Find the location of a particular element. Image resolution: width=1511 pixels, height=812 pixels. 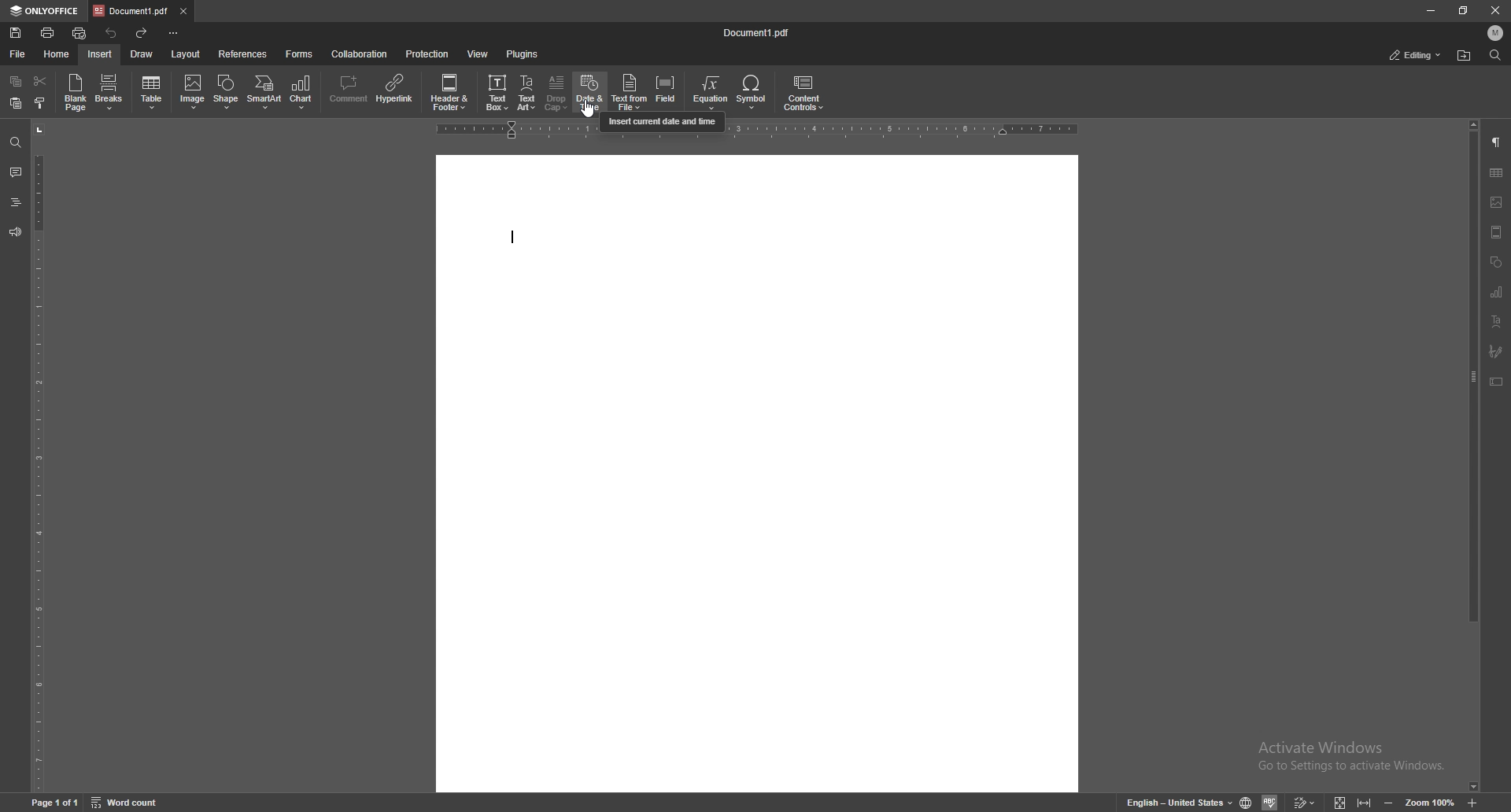

content controls is located at coordinates (804, 93).